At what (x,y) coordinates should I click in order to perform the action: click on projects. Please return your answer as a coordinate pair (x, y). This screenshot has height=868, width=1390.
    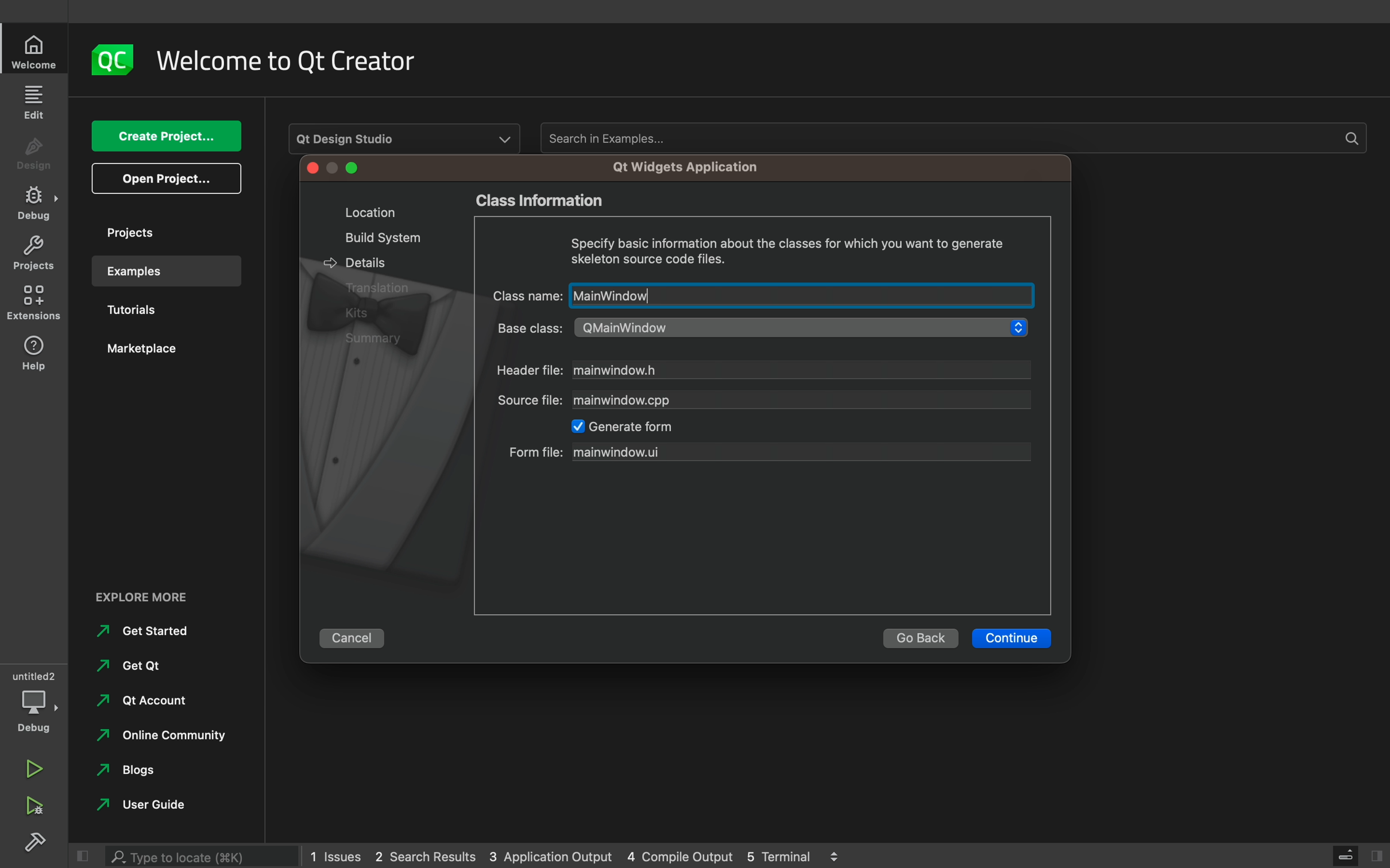
    Looking at the image, I should click on (160, 232).